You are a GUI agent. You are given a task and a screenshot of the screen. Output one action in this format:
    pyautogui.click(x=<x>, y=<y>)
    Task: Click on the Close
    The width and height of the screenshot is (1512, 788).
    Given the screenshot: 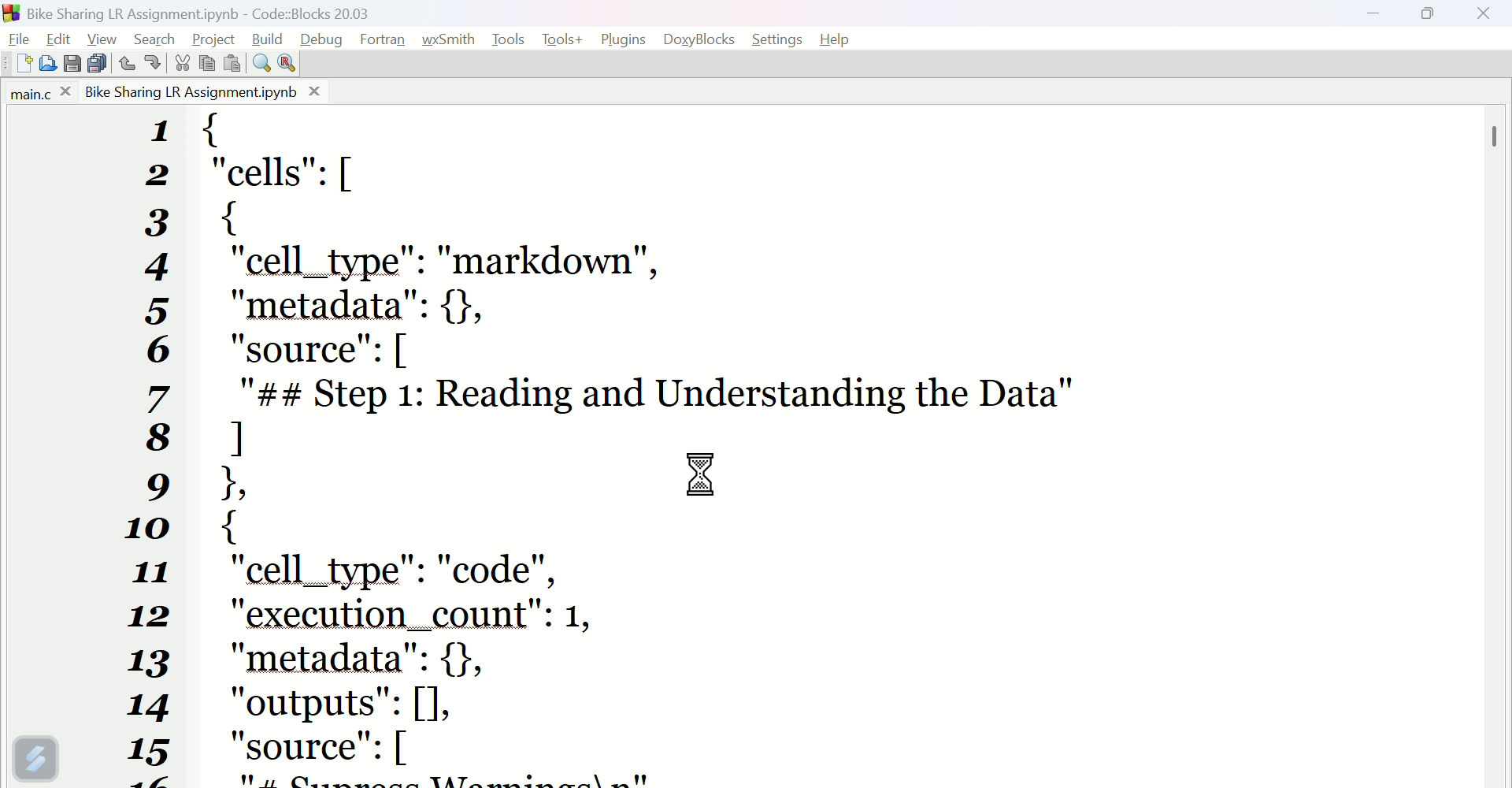 What is the action you would take?
    pyautogui.click(x=1484, y=20)
    